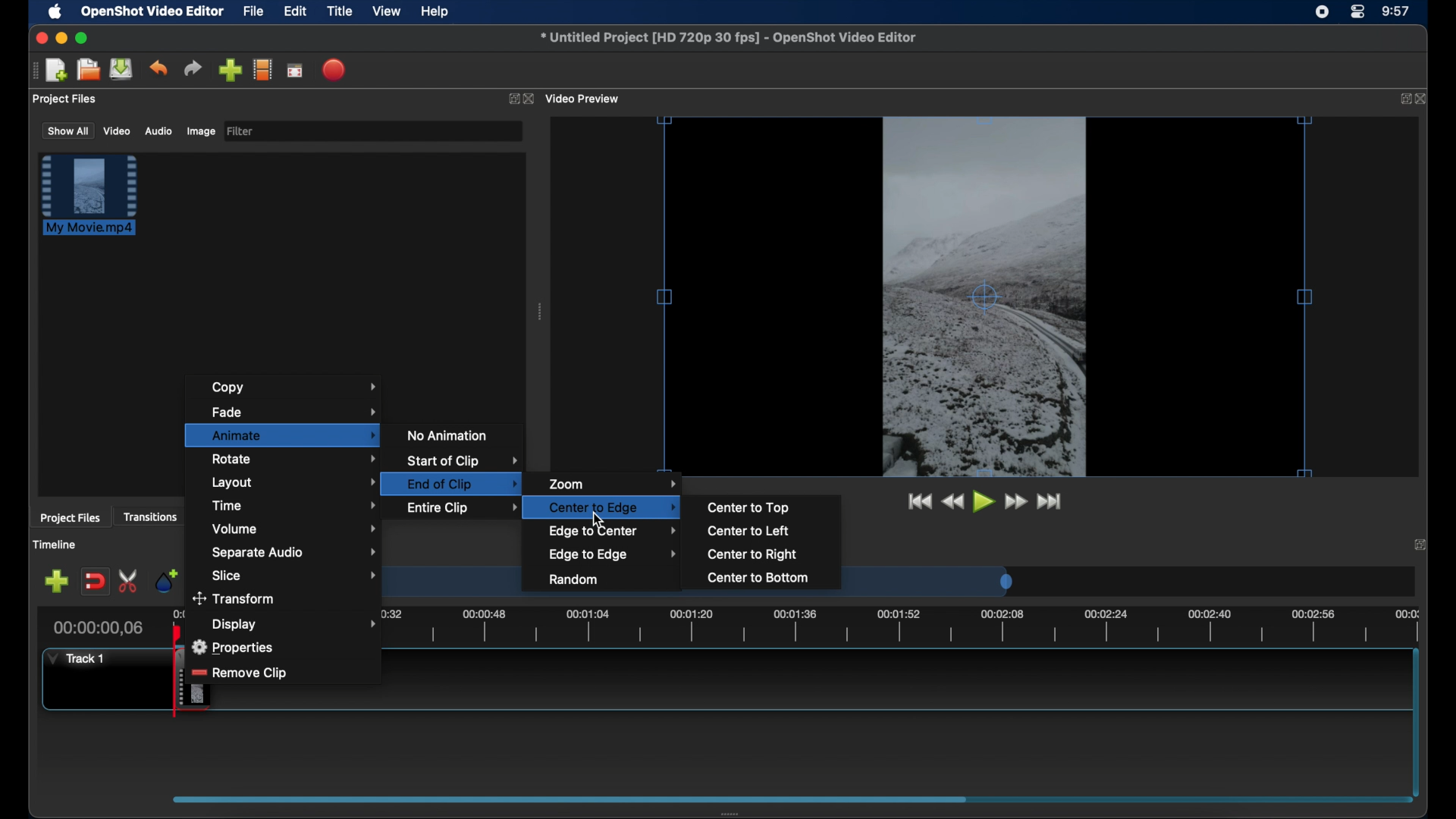 The image size is (1456, 819). I want to click on disable snapping, so click(95, 582).